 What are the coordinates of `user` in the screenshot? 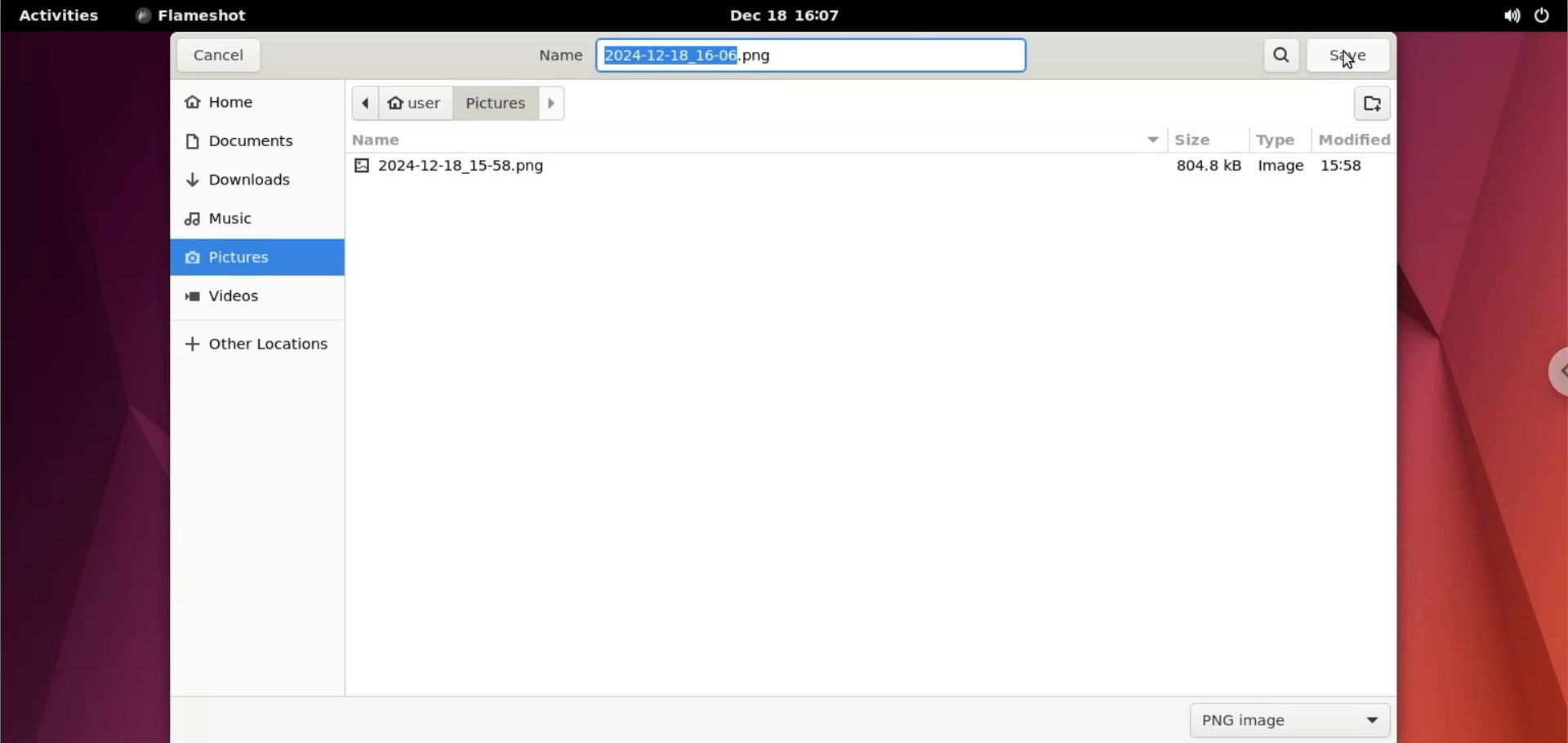 It's located at (419, 102).